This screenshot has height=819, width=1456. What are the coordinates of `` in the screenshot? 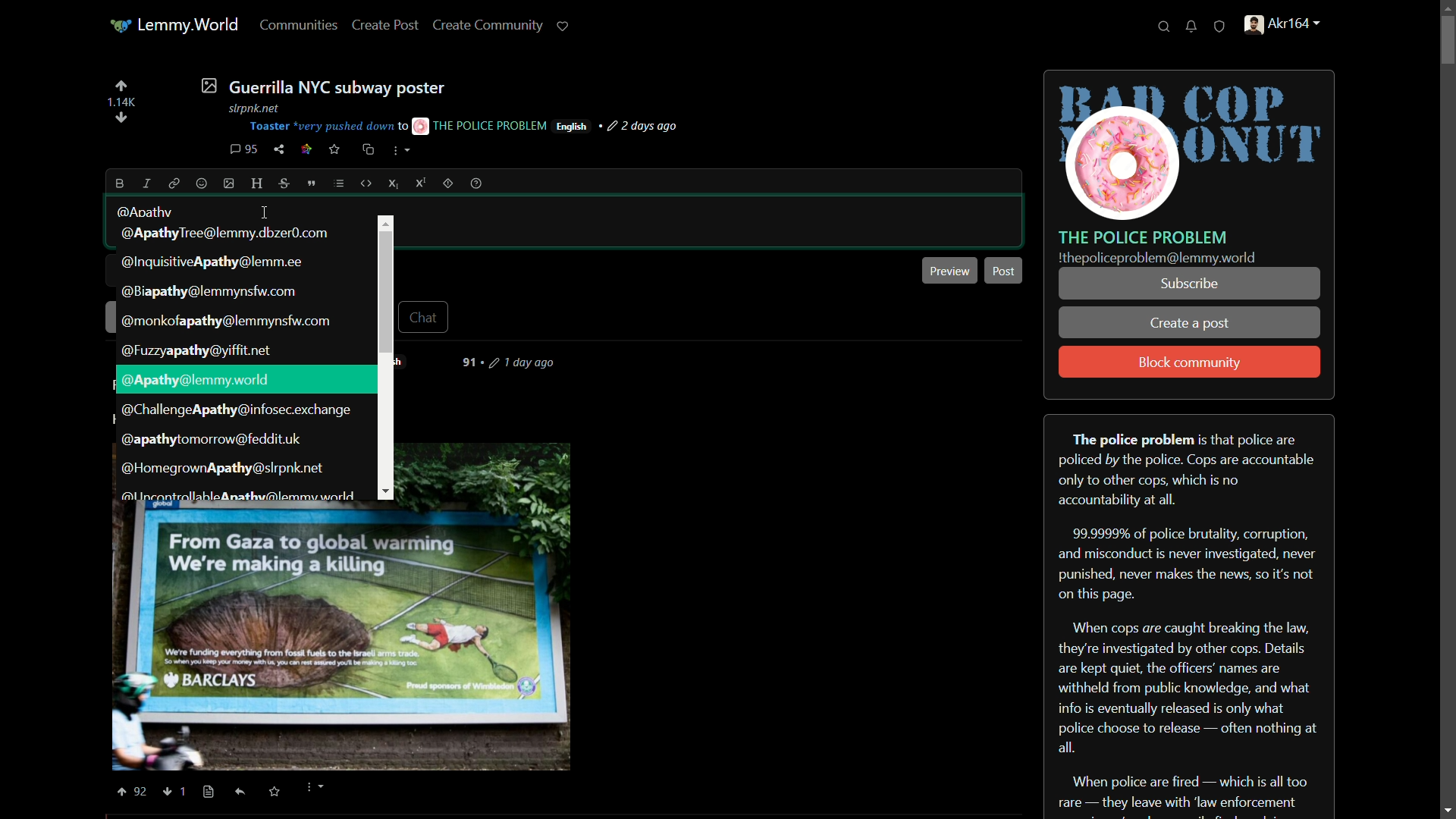 It's located at (387, 493).